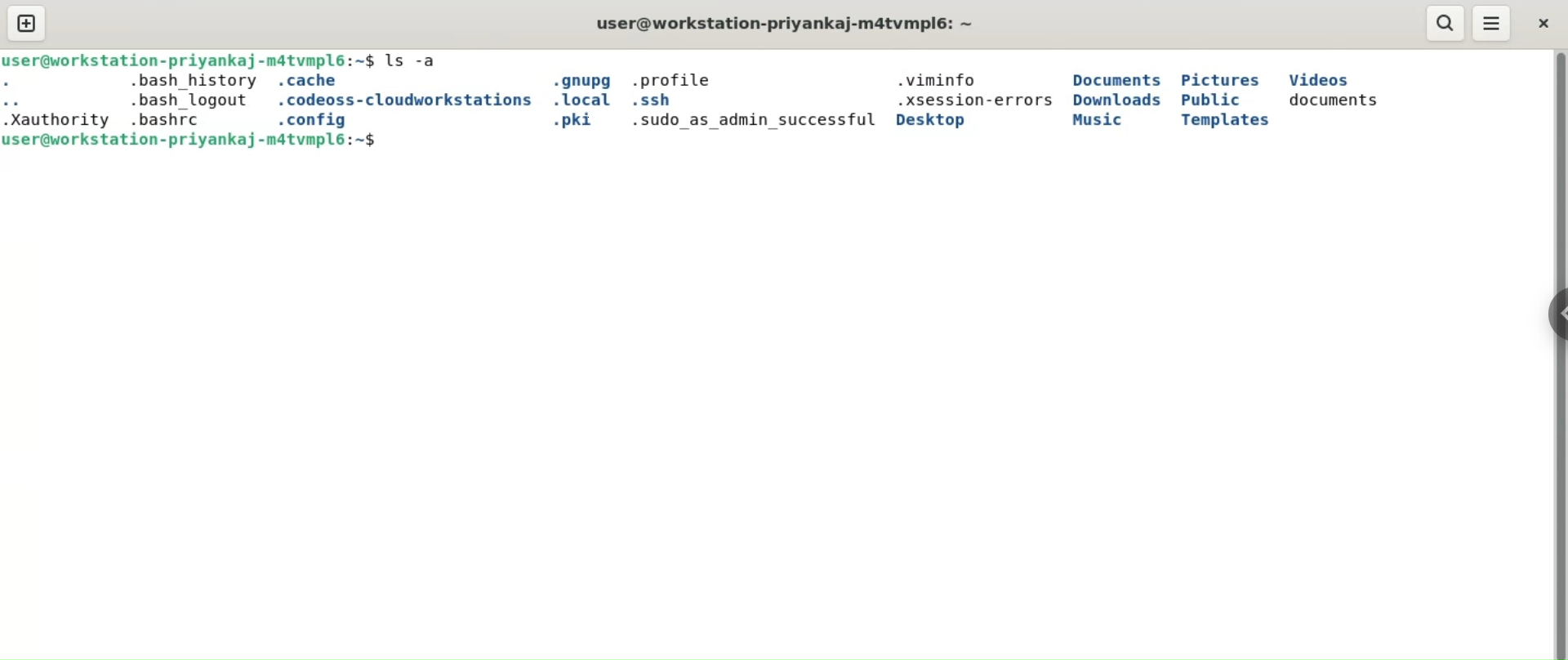  I want to click on .bash_logout, so click(198, 100).